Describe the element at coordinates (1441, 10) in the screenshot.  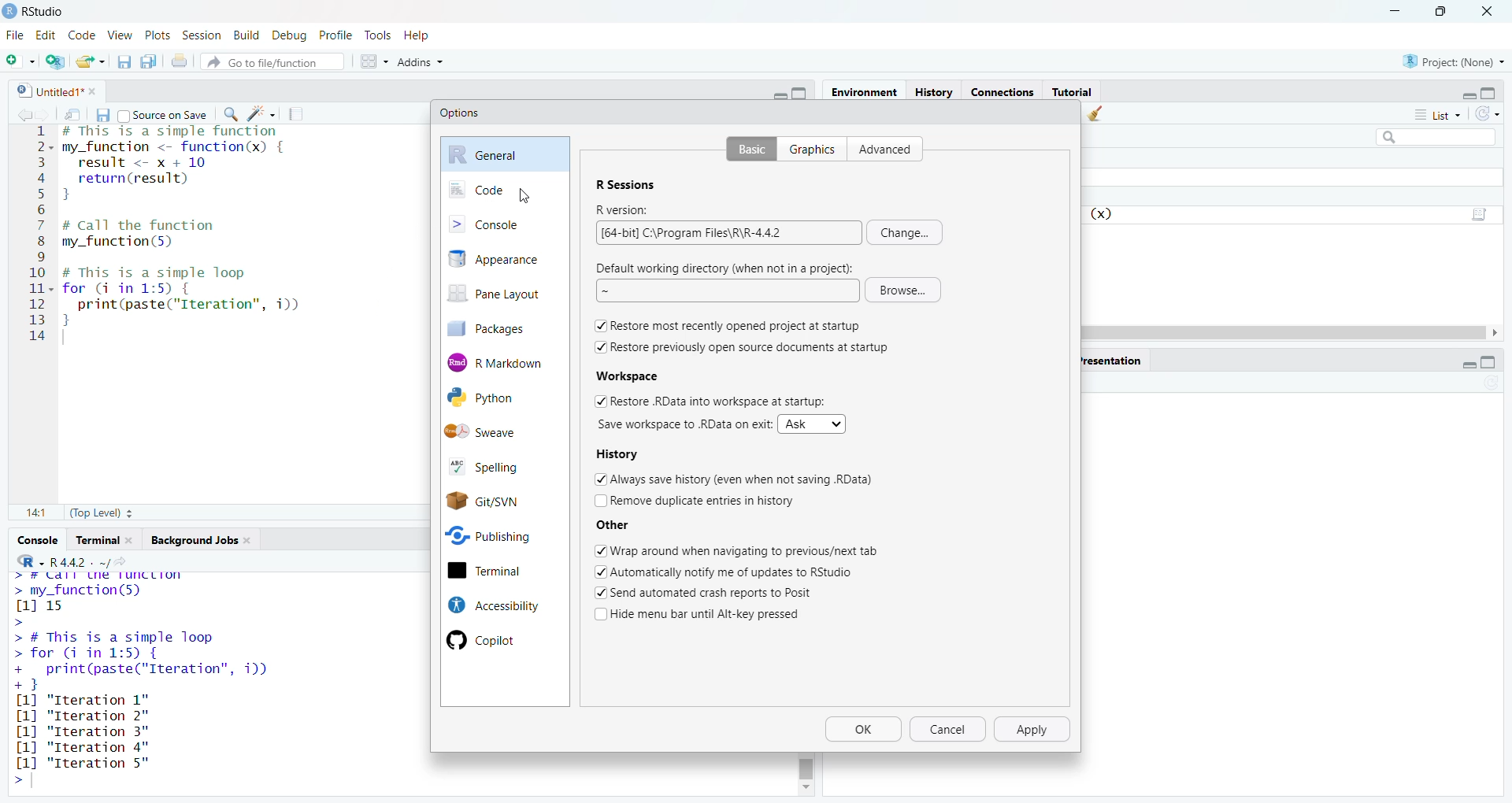
I see `maximize` at that location.